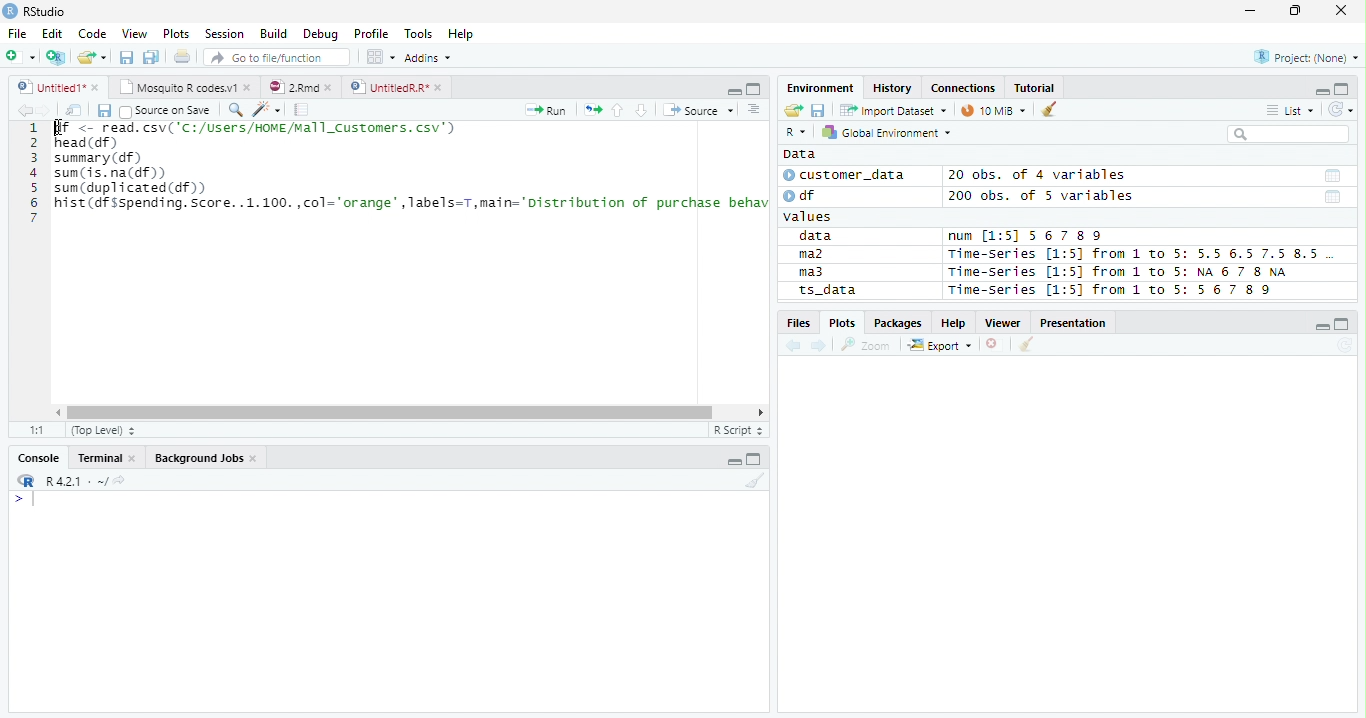 Image resolution: width=1366 pixels, height=718 pixels. I want to click on 2.Rmd, so click(302, 88).